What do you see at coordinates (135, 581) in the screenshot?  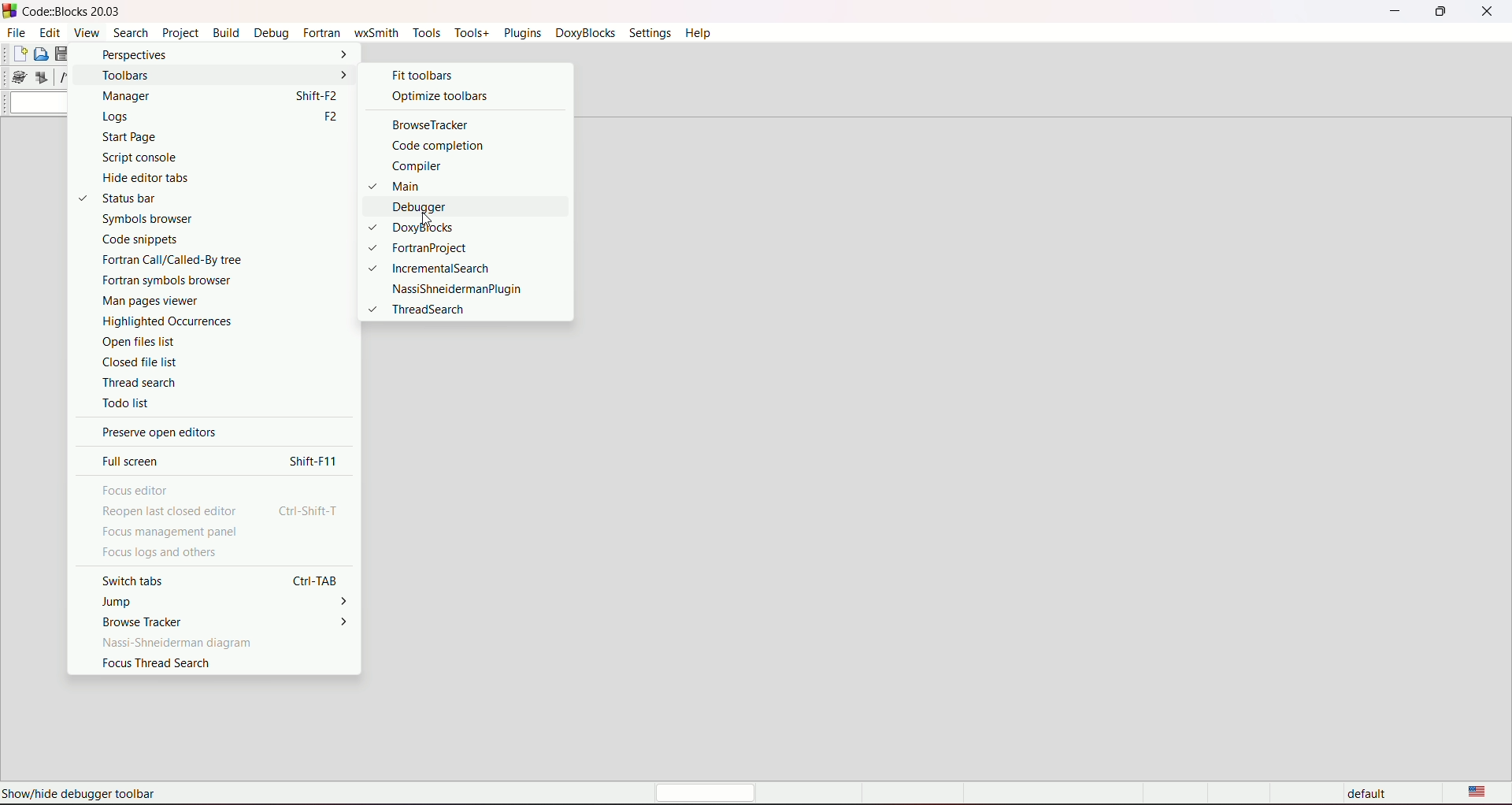 I see `switch tabs` at bounding box center [135, 581].